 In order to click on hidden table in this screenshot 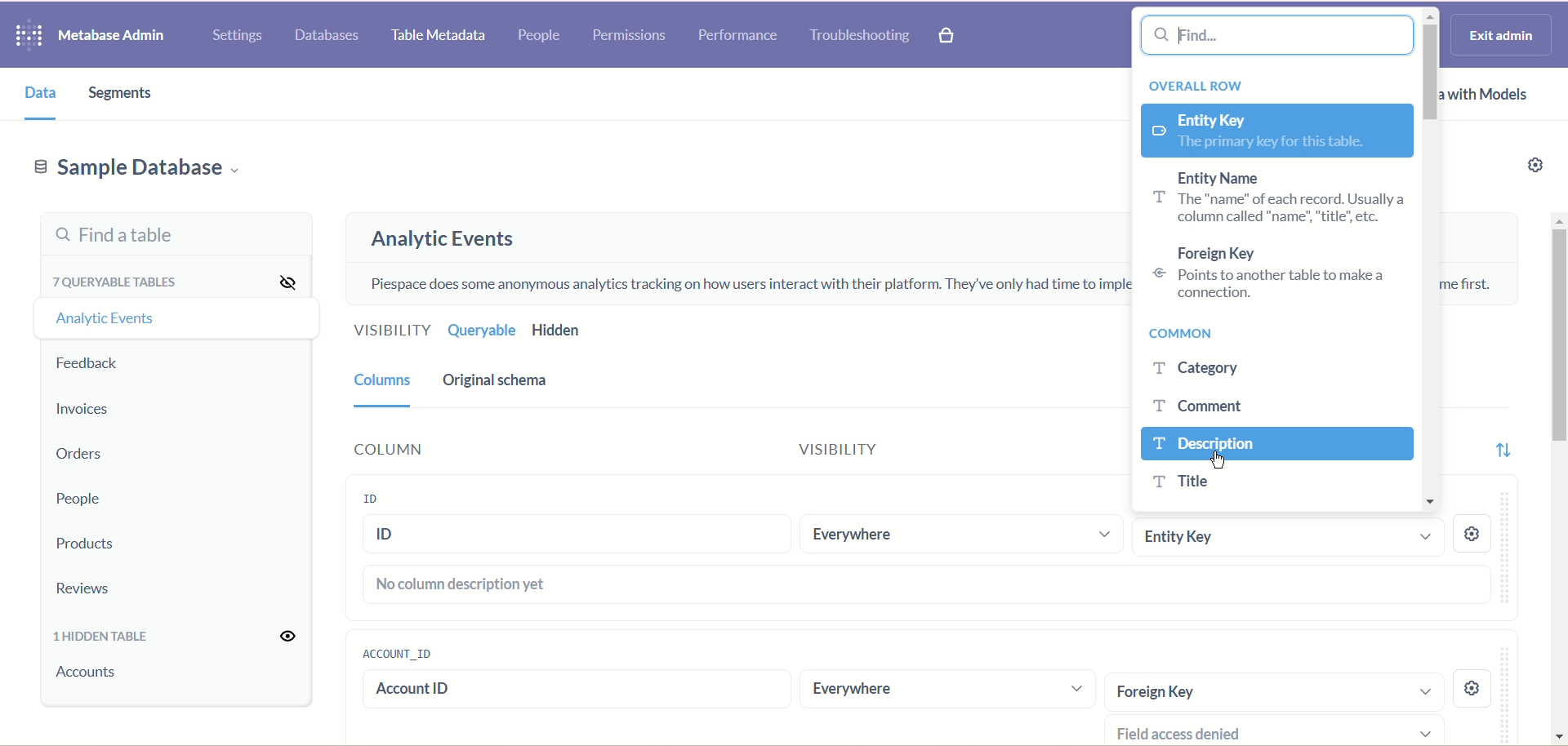, I will do `click(102, 639)`.